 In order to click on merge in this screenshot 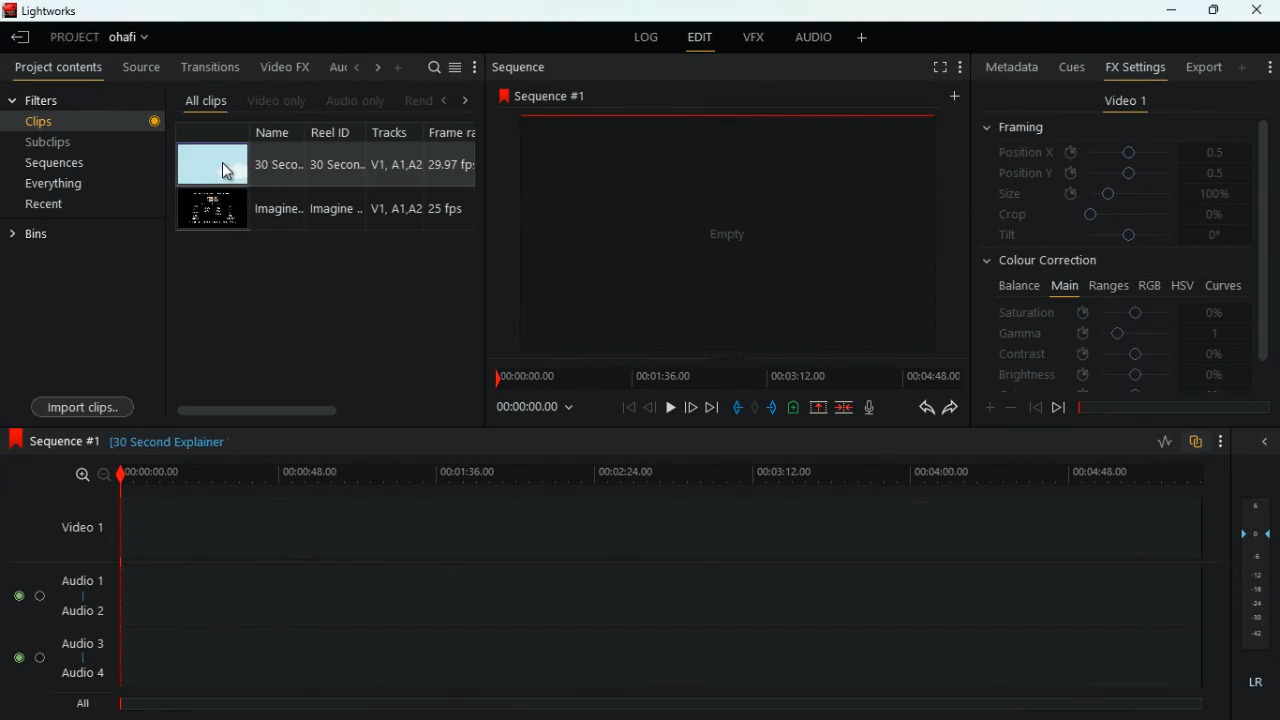, I will do `click(845, 408)`.